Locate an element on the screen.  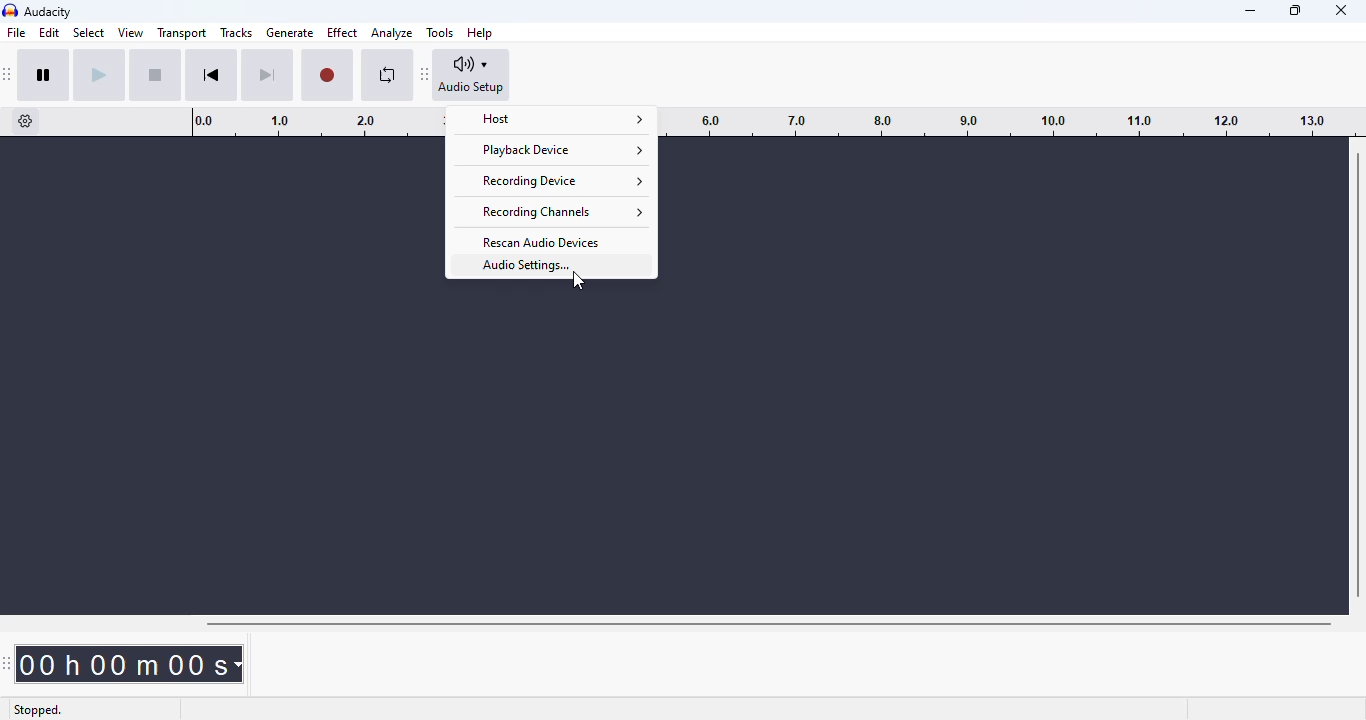
tools is located at coordinates (440, 33).